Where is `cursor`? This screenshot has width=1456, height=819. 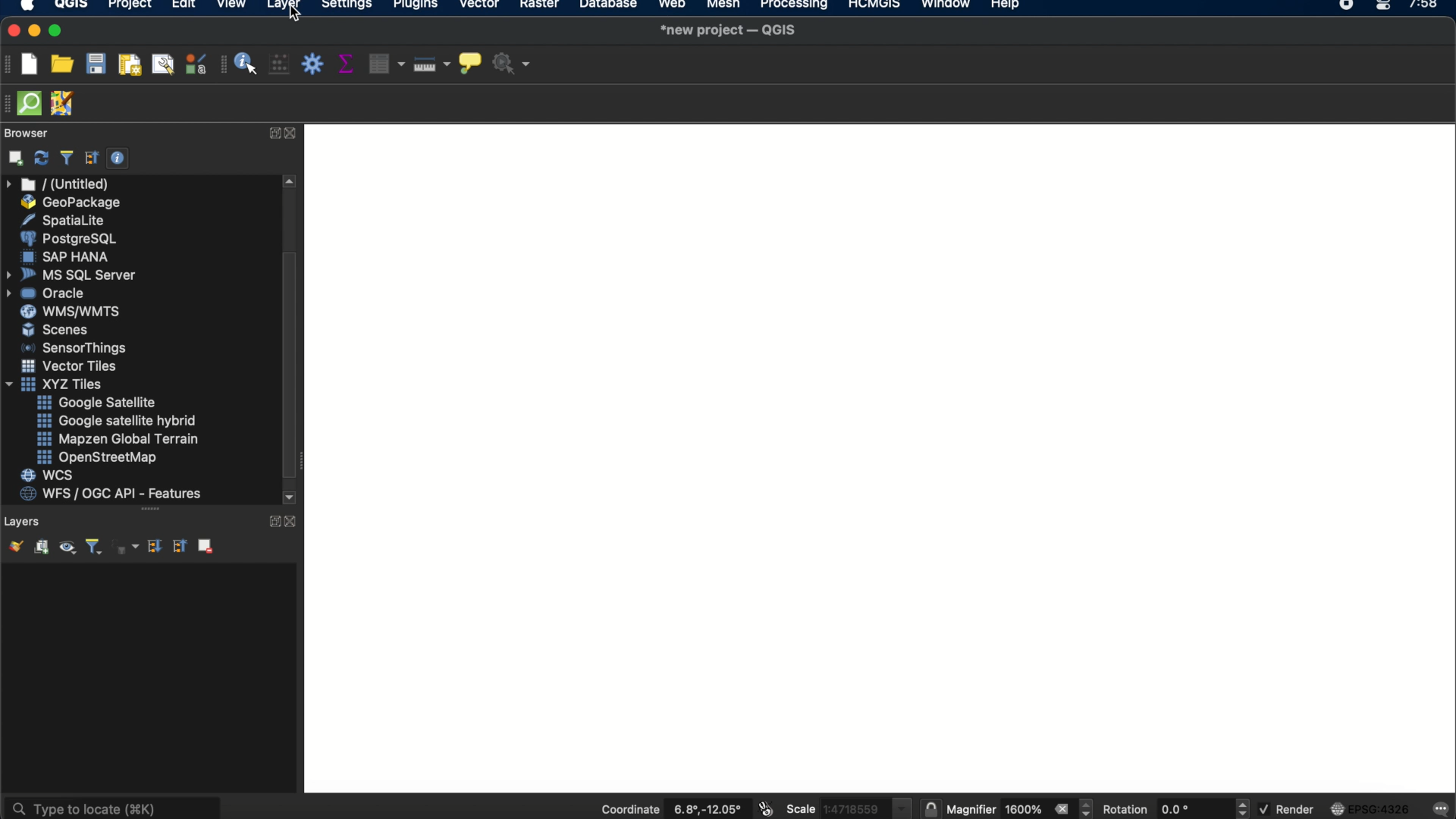 cursor is located at coordinates (295, 17).